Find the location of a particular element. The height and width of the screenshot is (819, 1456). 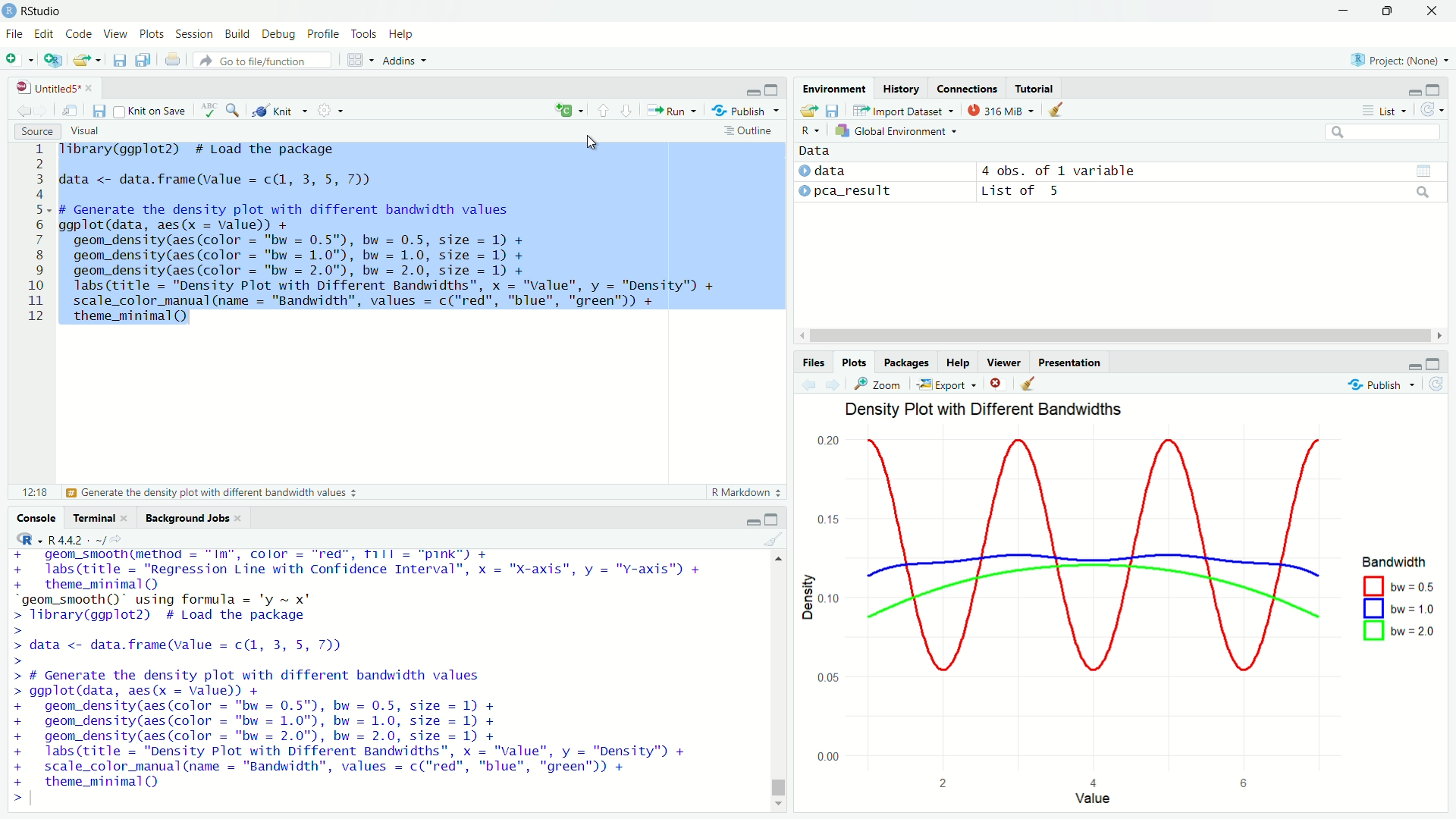

+ geom_smooth(method = "Im", color = “red”, Till = "pink") +

+ labs(title = "Regression Line with Confidence Interval”, x = "X-axis", y = "Y-axis") +
+ theme_minimal QO

“geom_smooth()" using formula = 'y ~ x'

> library(ggplot2) # Load the package

>

> data <- data.frame(value = c(1, 3, 5, 7))

>

> # Generate the density plot with different bandwidth values

> ggplot(data, aes(x = Value)) +

+ geom_density(aes(color = "bw = 0.5"), bw = 0.5, size = 1) +

+ geom_density(aes(color = "bw = 1.0"), bw = 1.0, size = 1) +

+ geom_density(aes(color = "bw = 2.0"), bw = 2.0, size = 1) +

+ labs(title = "Density Plot with Different Bandwidths", x = "value", y = "Density") +
+ scale_color_manual(name = "Bandwidth", values = c("red", "blue", "green")) +

+ theme_minimal OQ

>| is located at coordinates (370, 677).